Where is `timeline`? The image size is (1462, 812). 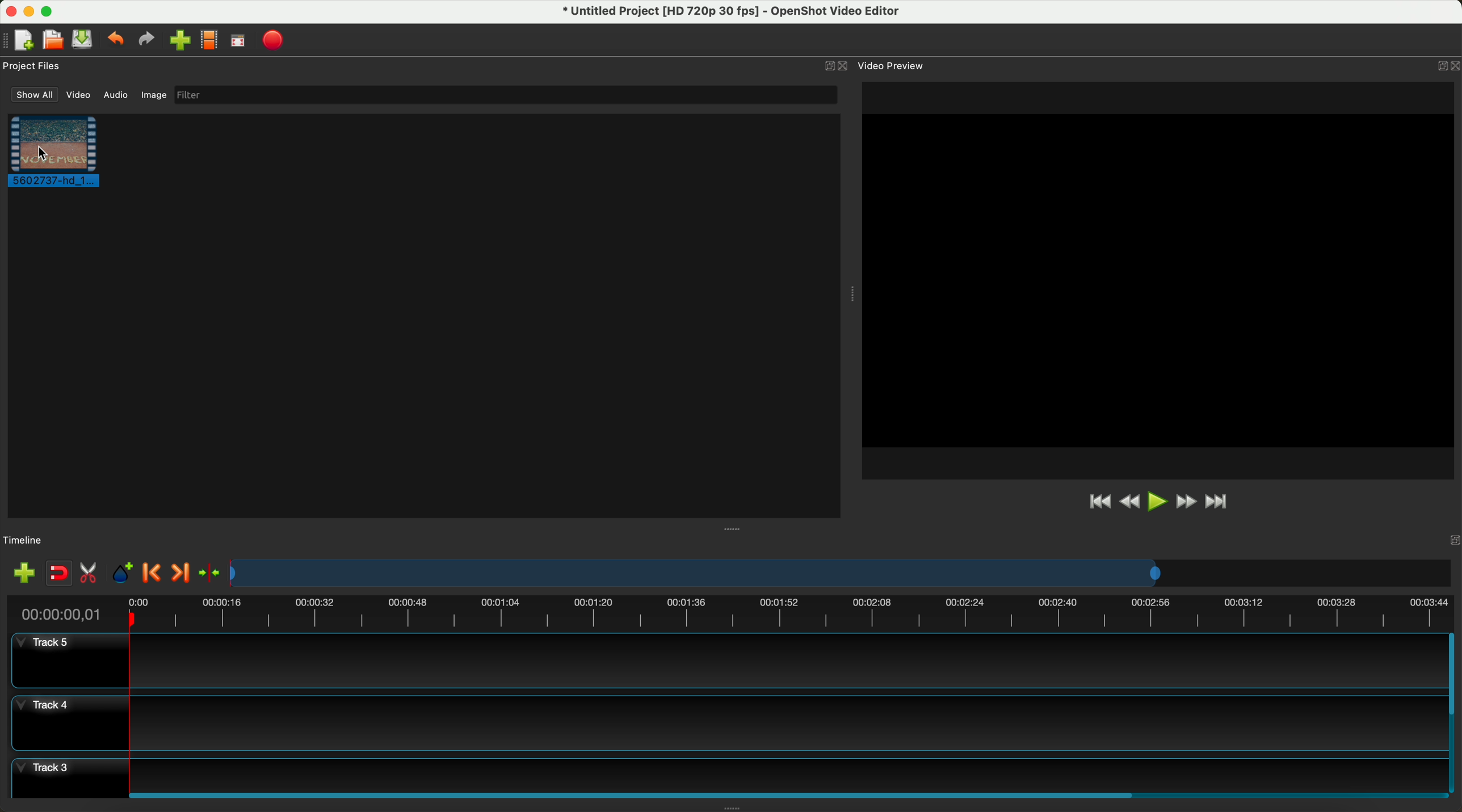 timeline is located at coordinates (841, 572).